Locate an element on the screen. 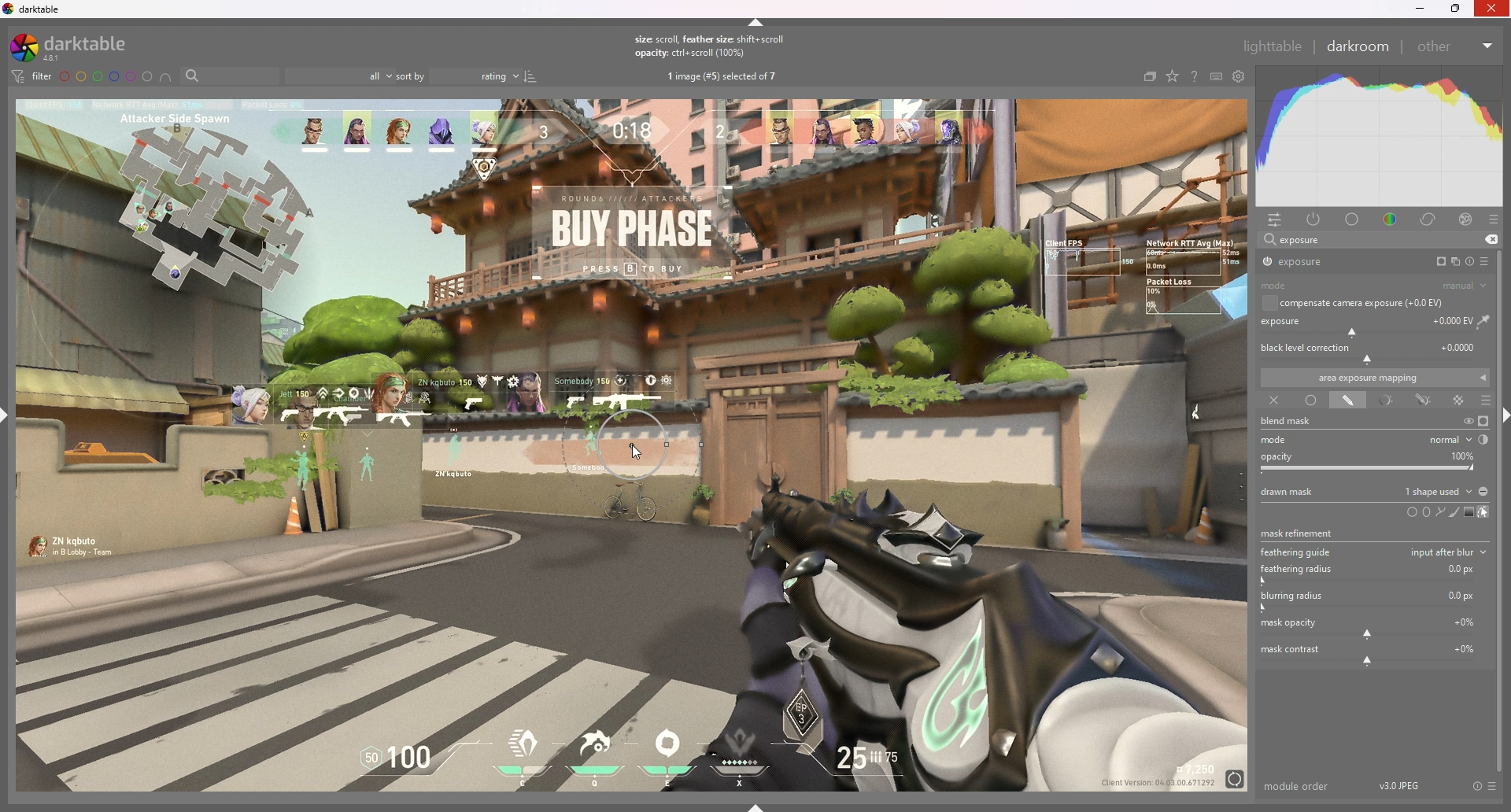 Image resolution: width=1511 pixels, height=812 pixels. mask refinement is located at coordinates (1300, 531).